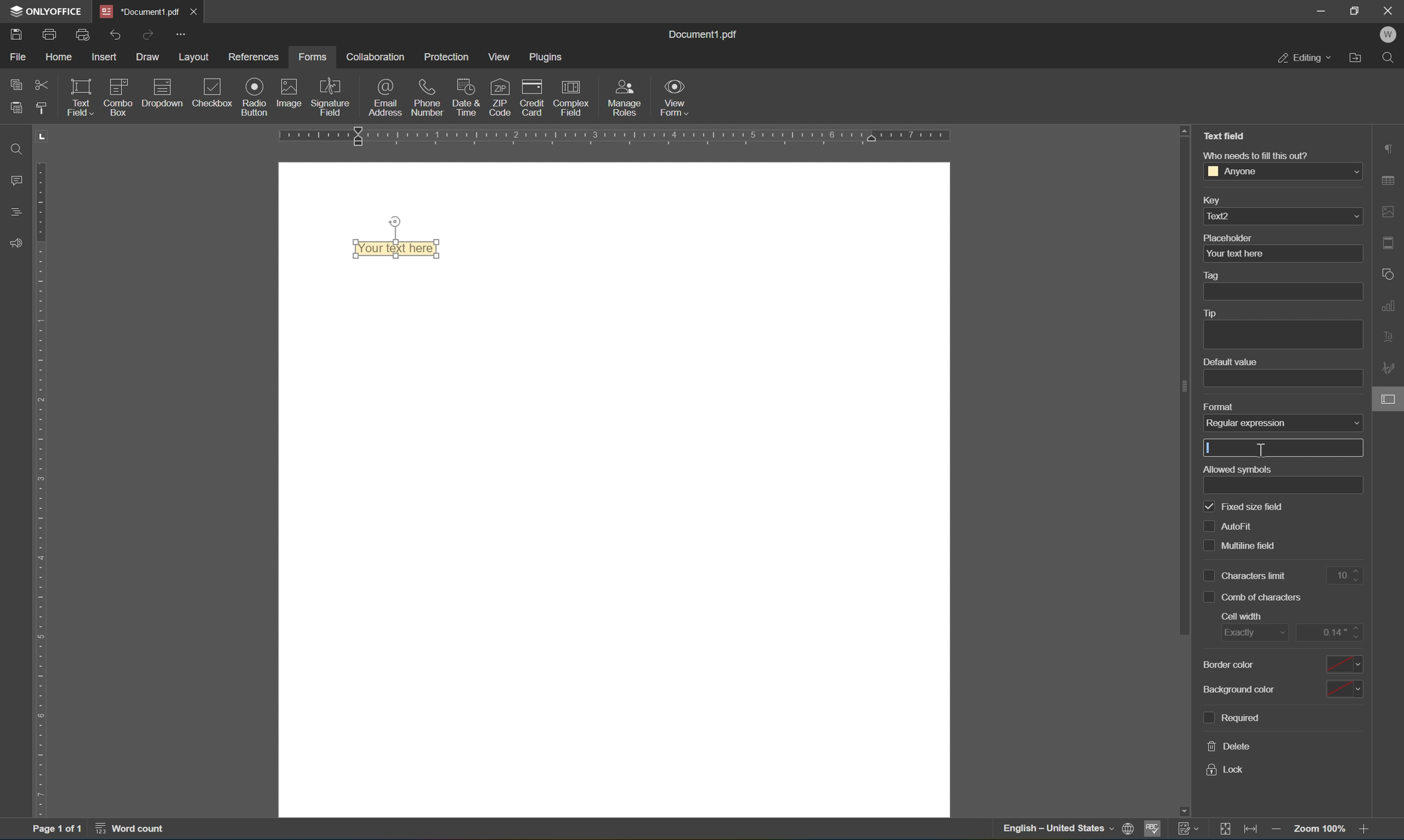 This screenshot has height=840, width=1404. I want to click on spell checking, so click(1154, 829).